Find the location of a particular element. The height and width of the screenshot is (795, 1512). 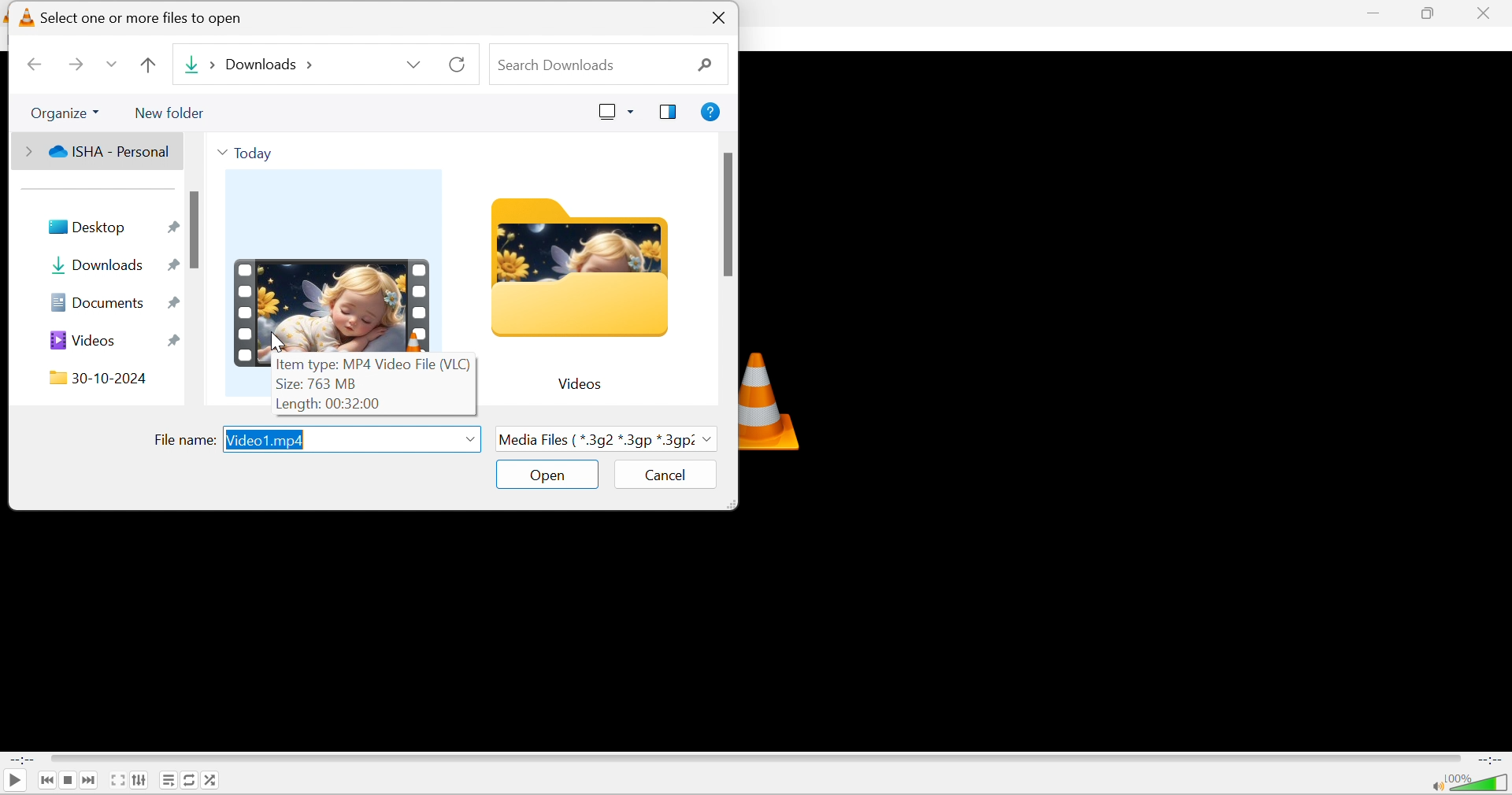

Progress bar is located at coordinates (755, 760).